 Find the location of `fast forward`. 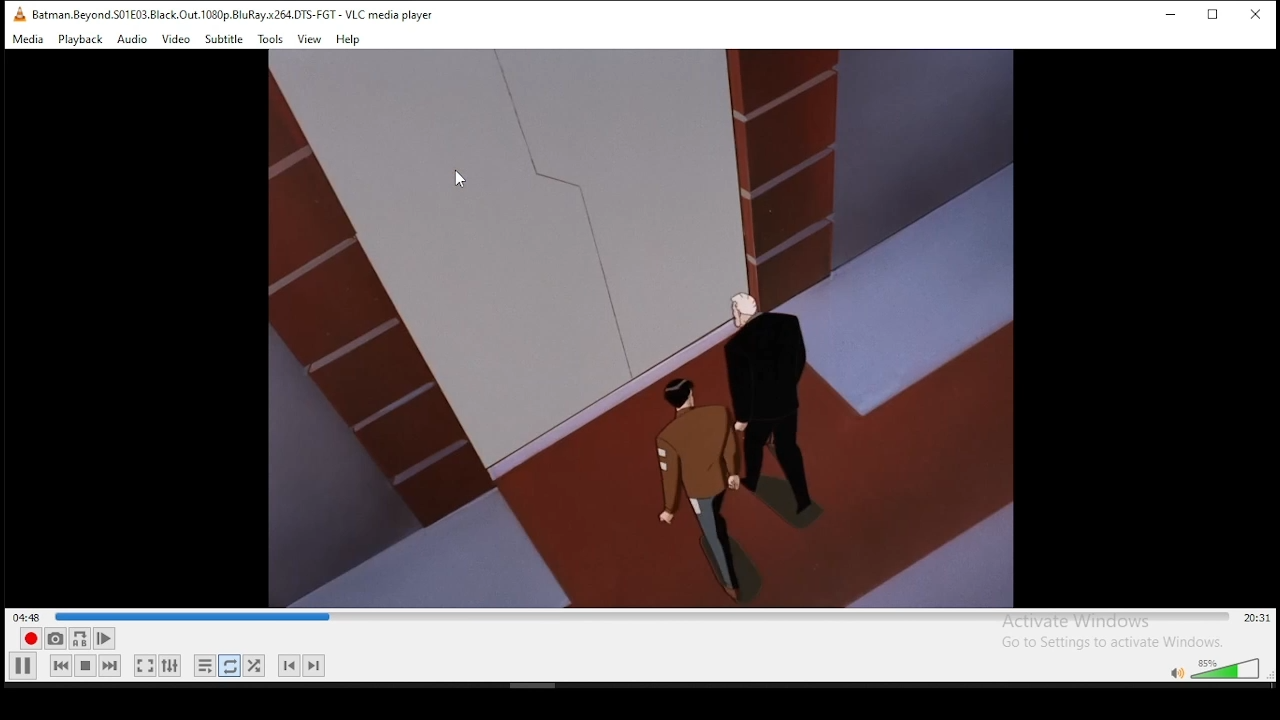

fast forward is located at coordinates (111, 667).